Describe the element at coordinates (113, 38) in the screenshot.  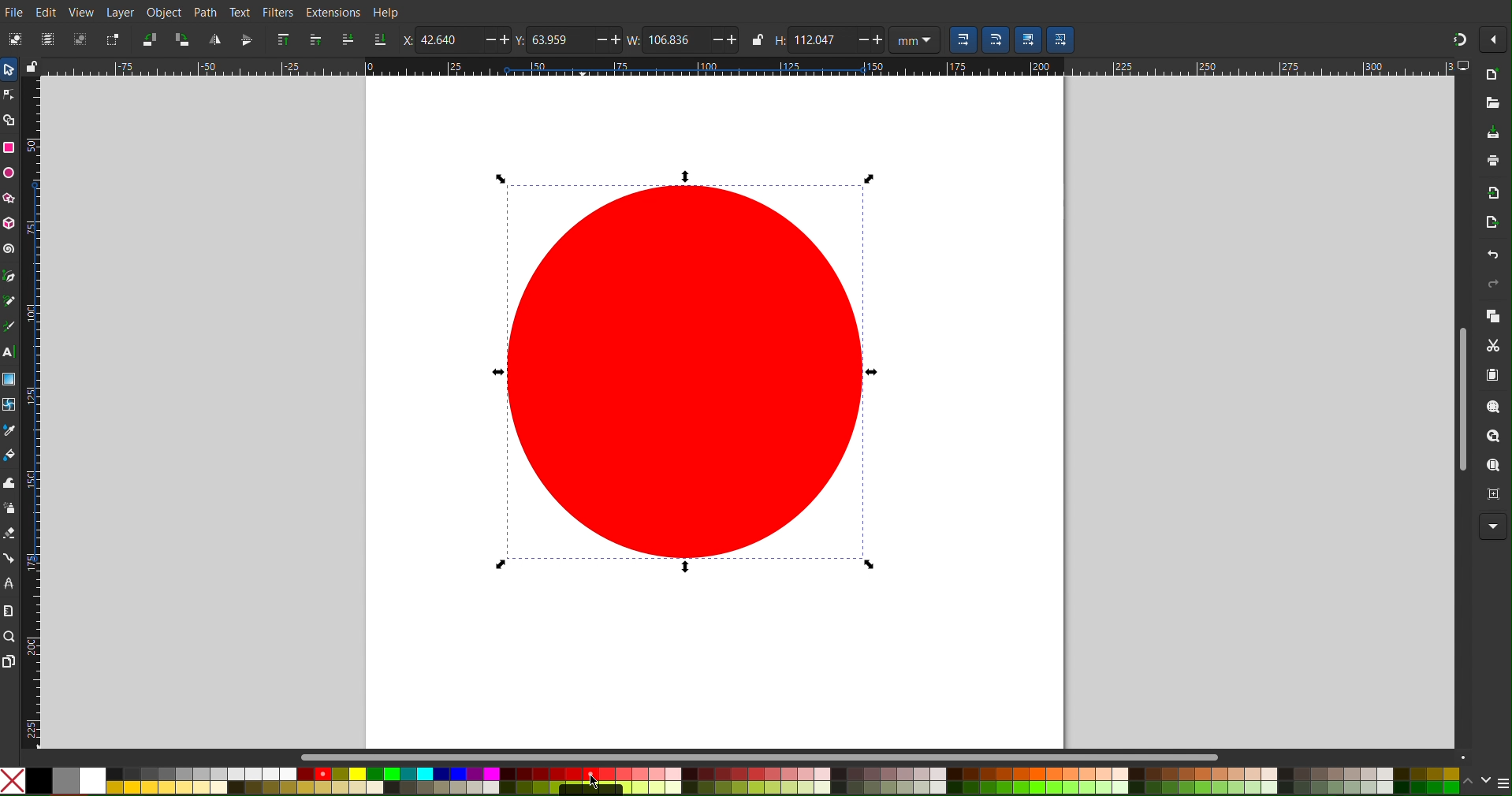
I see `Toggle Selection Box` at that location.